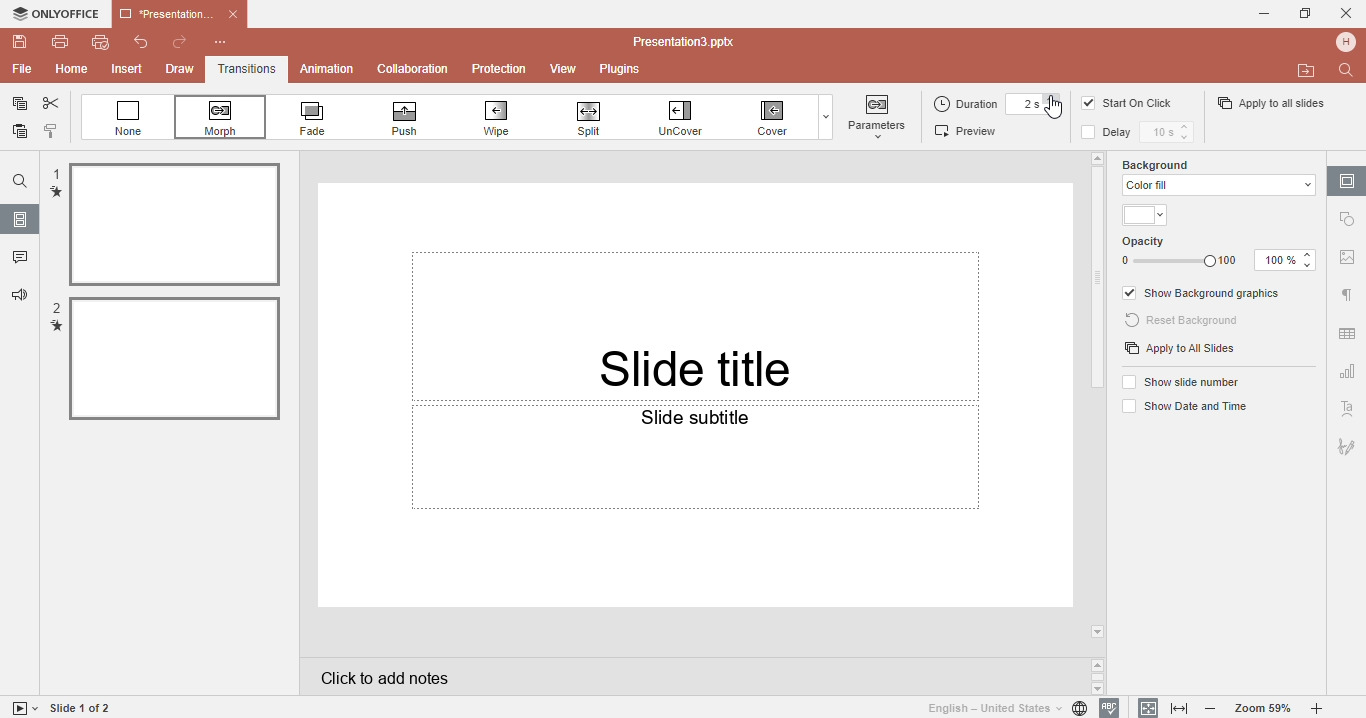  I want to click on Quick print, so click(99, 45).